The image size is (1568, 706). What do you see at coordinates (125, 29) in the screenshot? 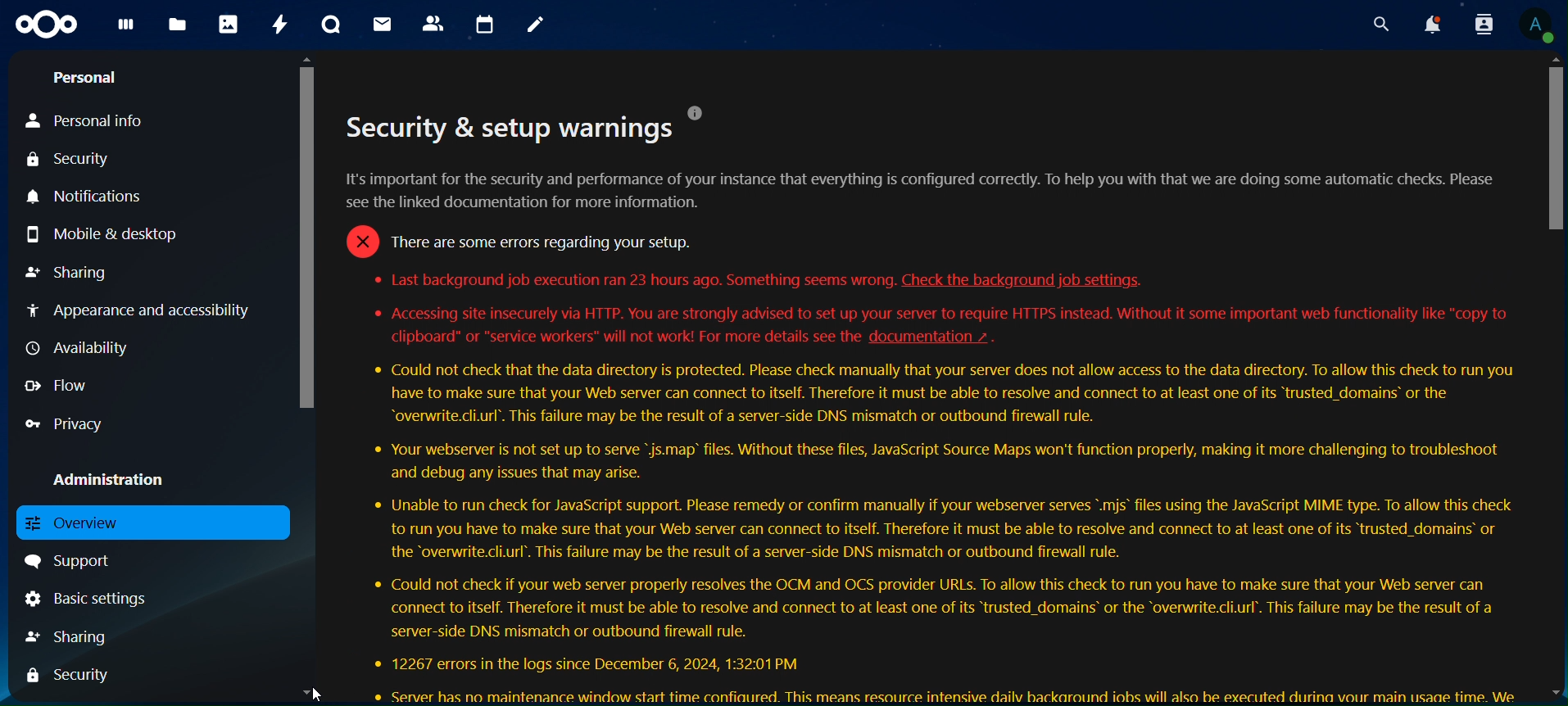
I see `dashboard` at bounding box center [125, 29].